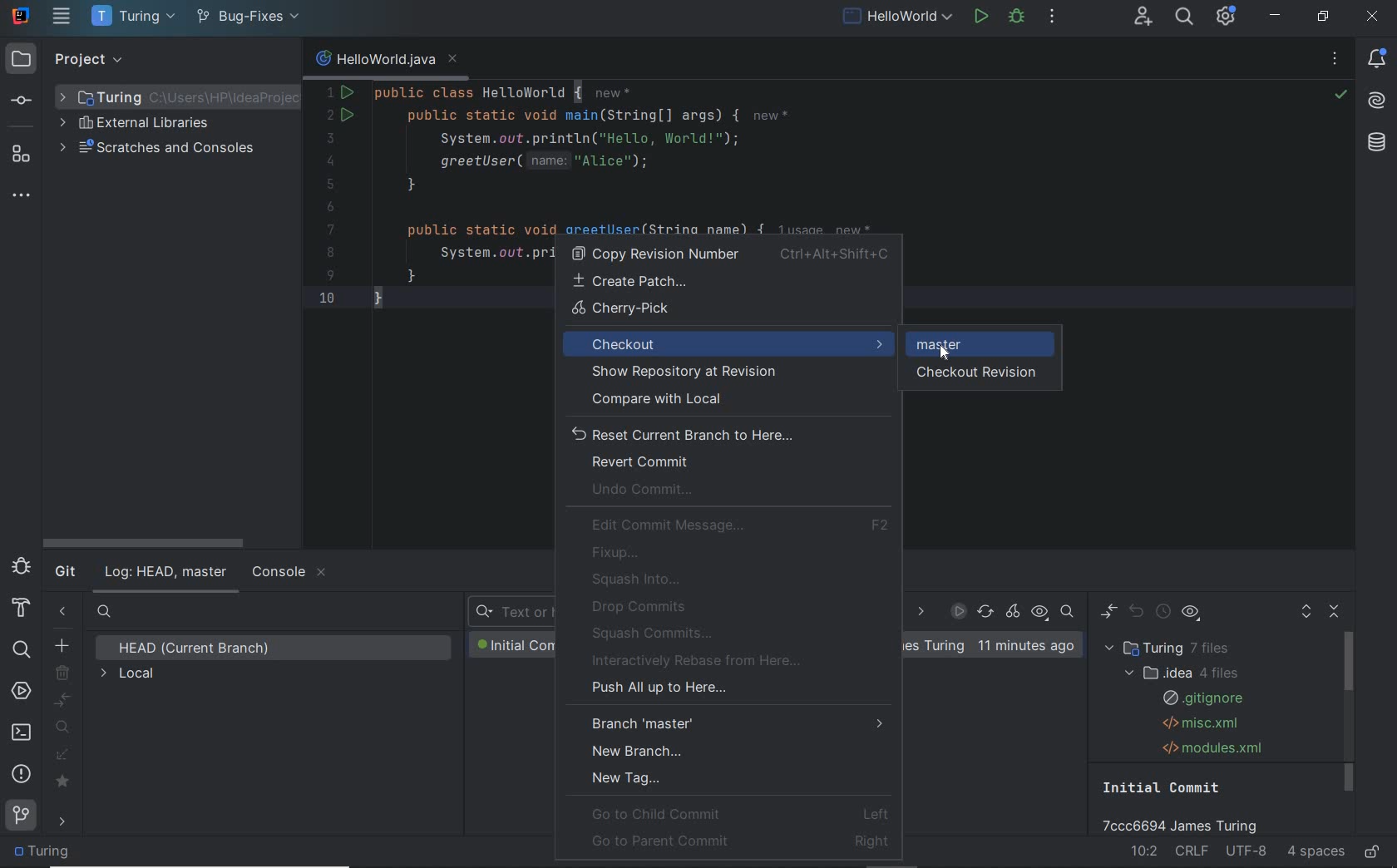 The image size is (1397, 868). What do you see at coordinates (946, 351) in the screenshot?
I see `cursor` at bounding box center [946, 351].